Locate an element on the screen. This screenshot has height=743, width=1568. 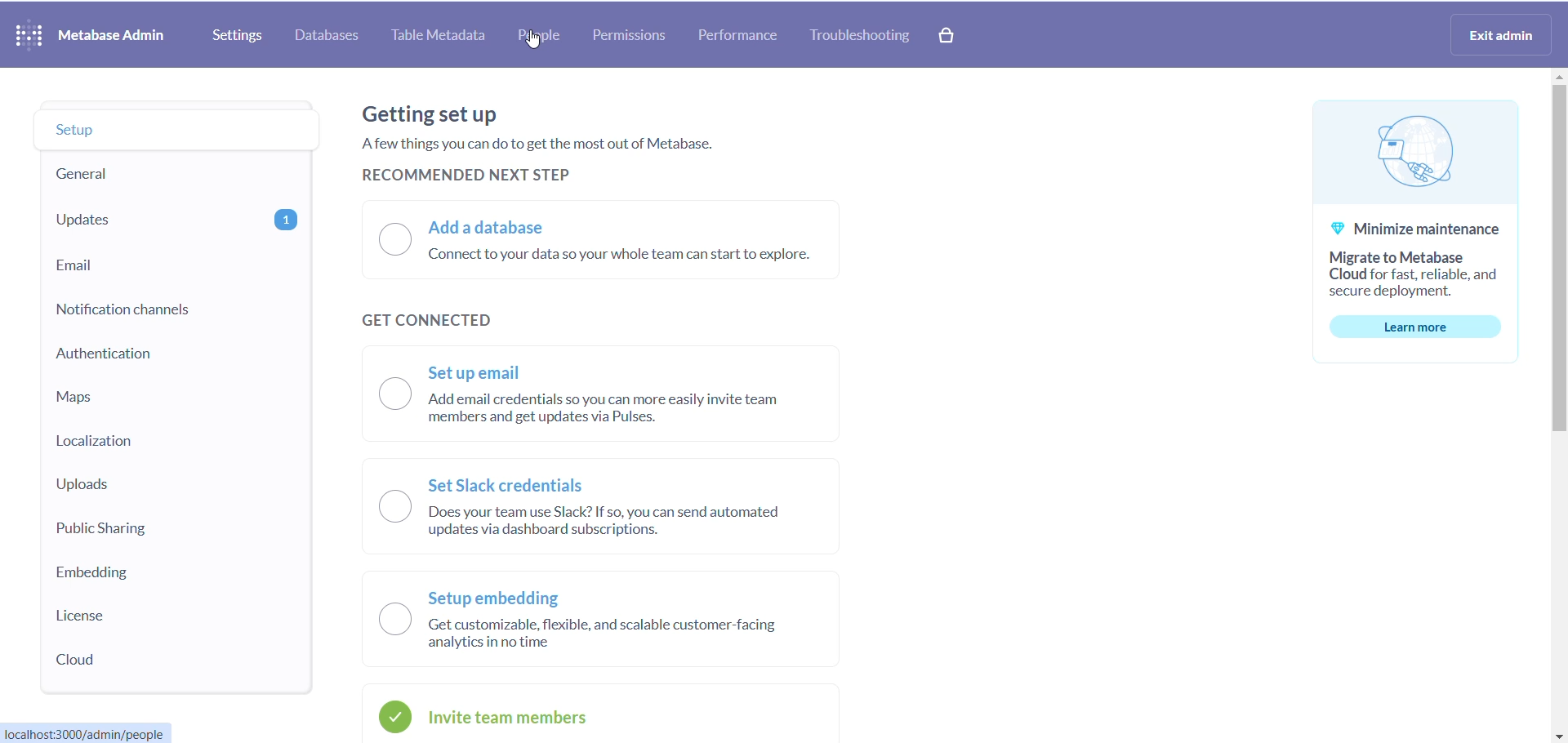
learn more is located at coordinates (1417, 327).